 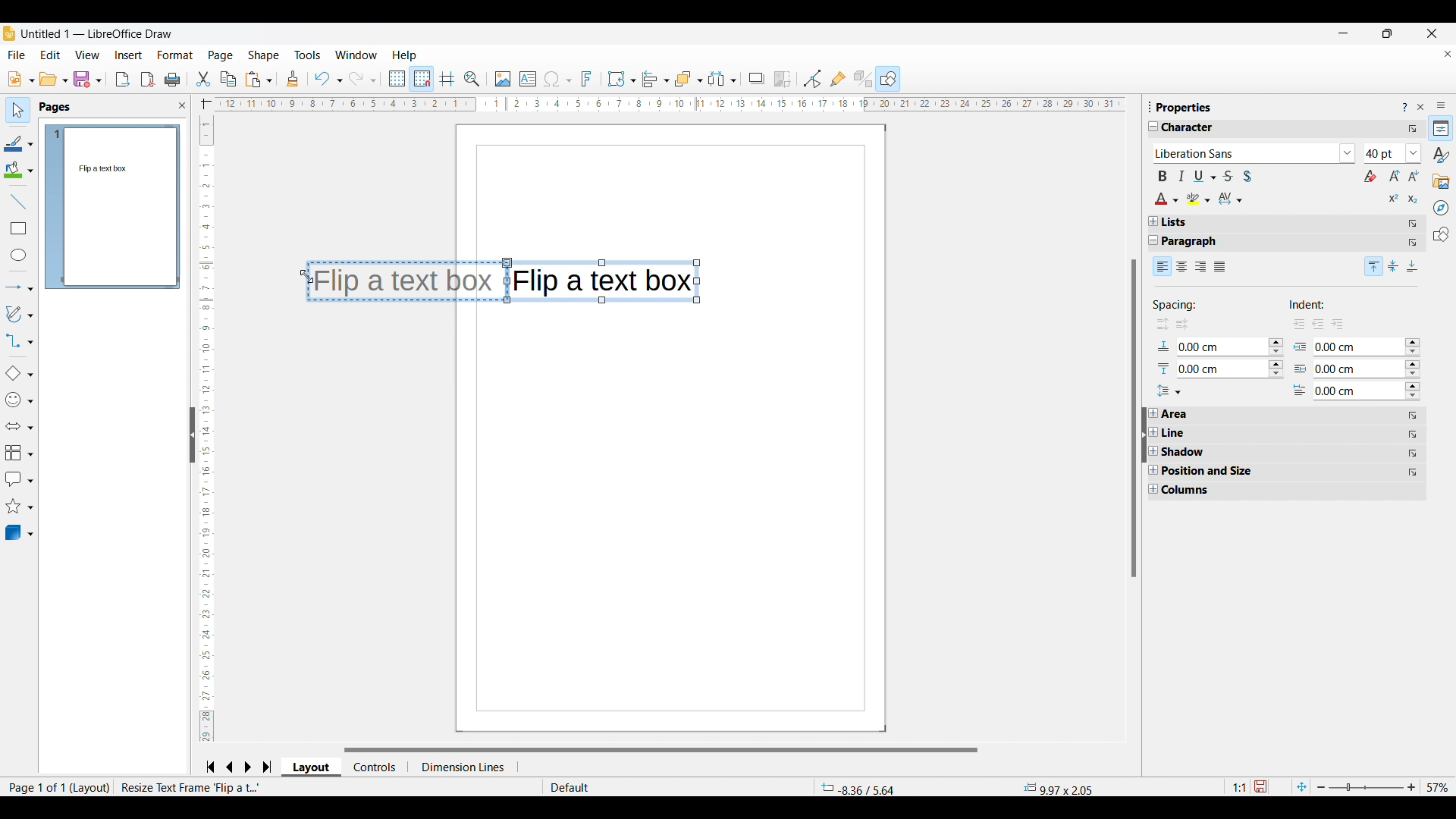 What do you see at coordinates (839, 79) in the screenshot?
I see `Show gluepoint functions` at bounding box center [839, 79].